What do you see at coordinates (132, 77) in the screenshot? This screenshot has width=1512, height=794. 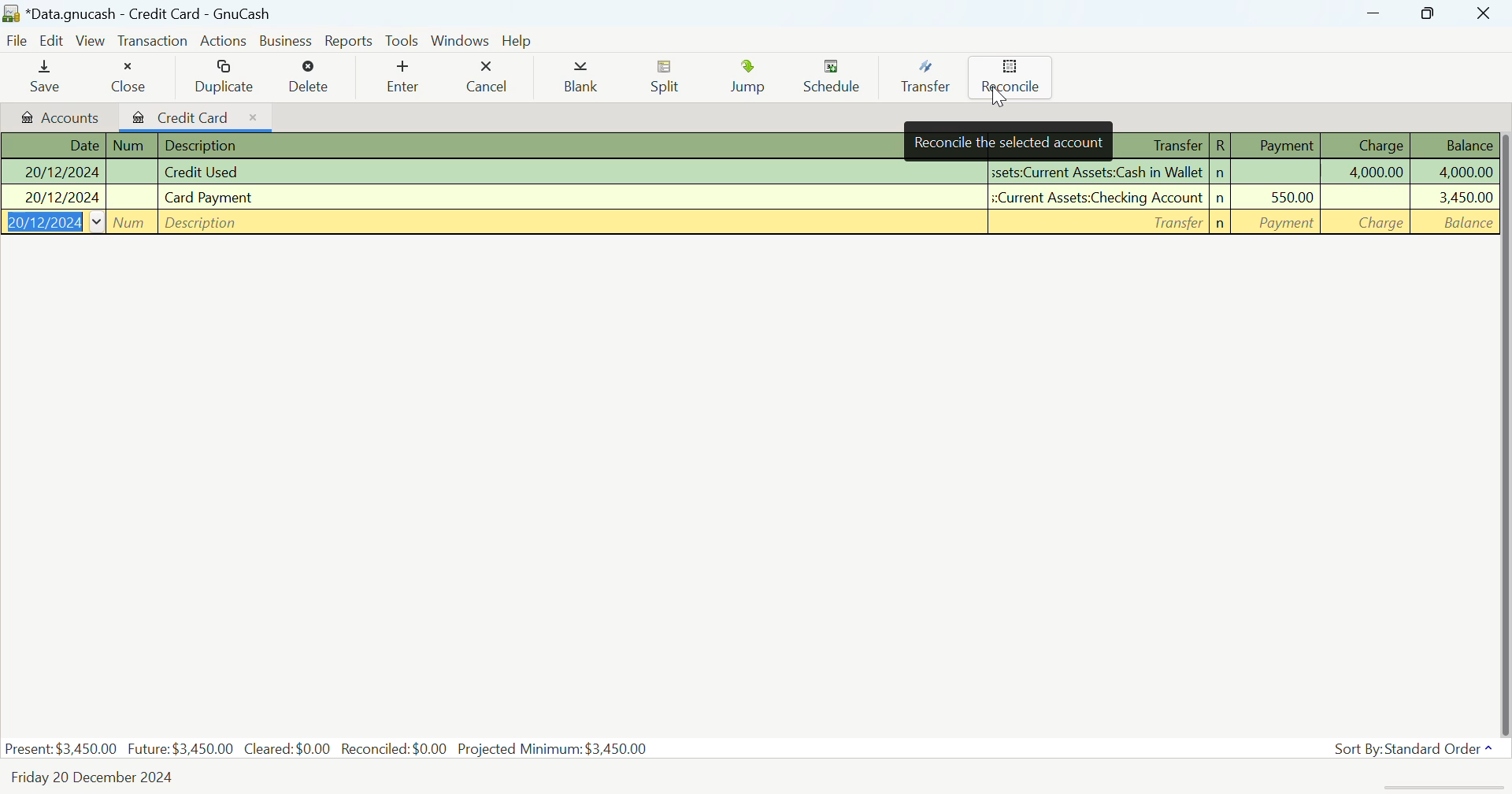 I see `Close` at bounding box center [132, 77].